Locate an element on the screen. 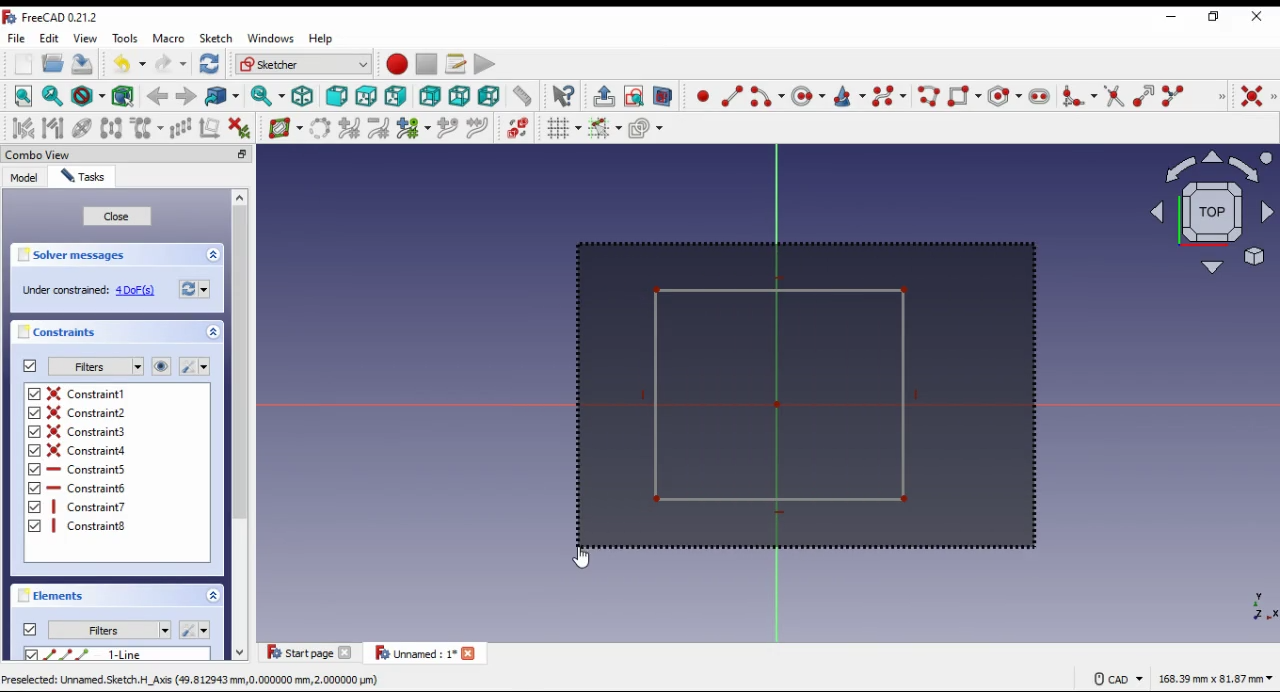 This screenshot has height=692, width=1280. go to linked object is located at coordinates (223, 96).